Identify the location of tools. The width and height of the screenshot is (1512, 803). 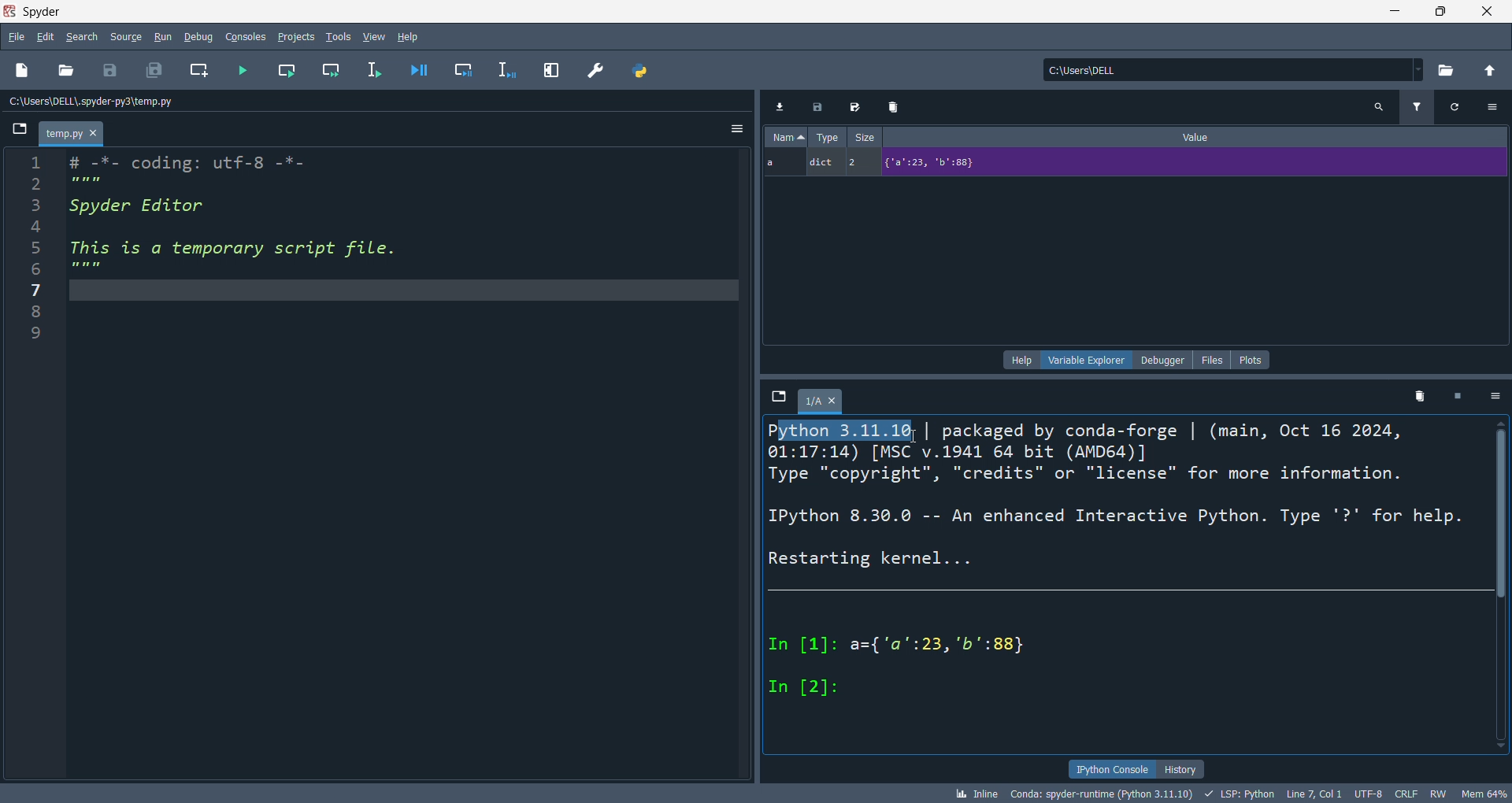
(339, 35).